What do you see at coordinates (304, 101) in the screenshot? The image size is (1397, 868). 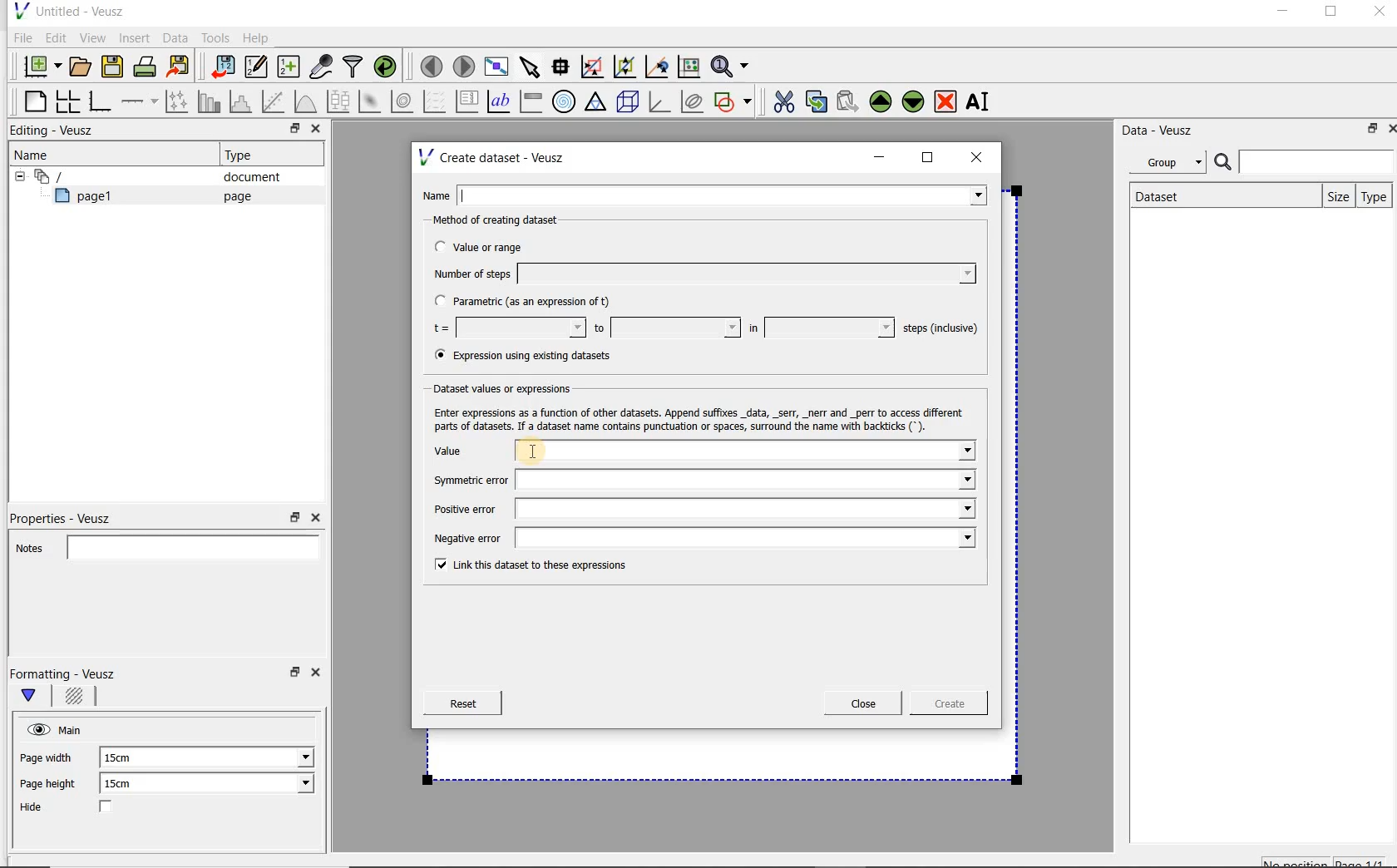 I see `plot a function` at bounding box center [304, 101].